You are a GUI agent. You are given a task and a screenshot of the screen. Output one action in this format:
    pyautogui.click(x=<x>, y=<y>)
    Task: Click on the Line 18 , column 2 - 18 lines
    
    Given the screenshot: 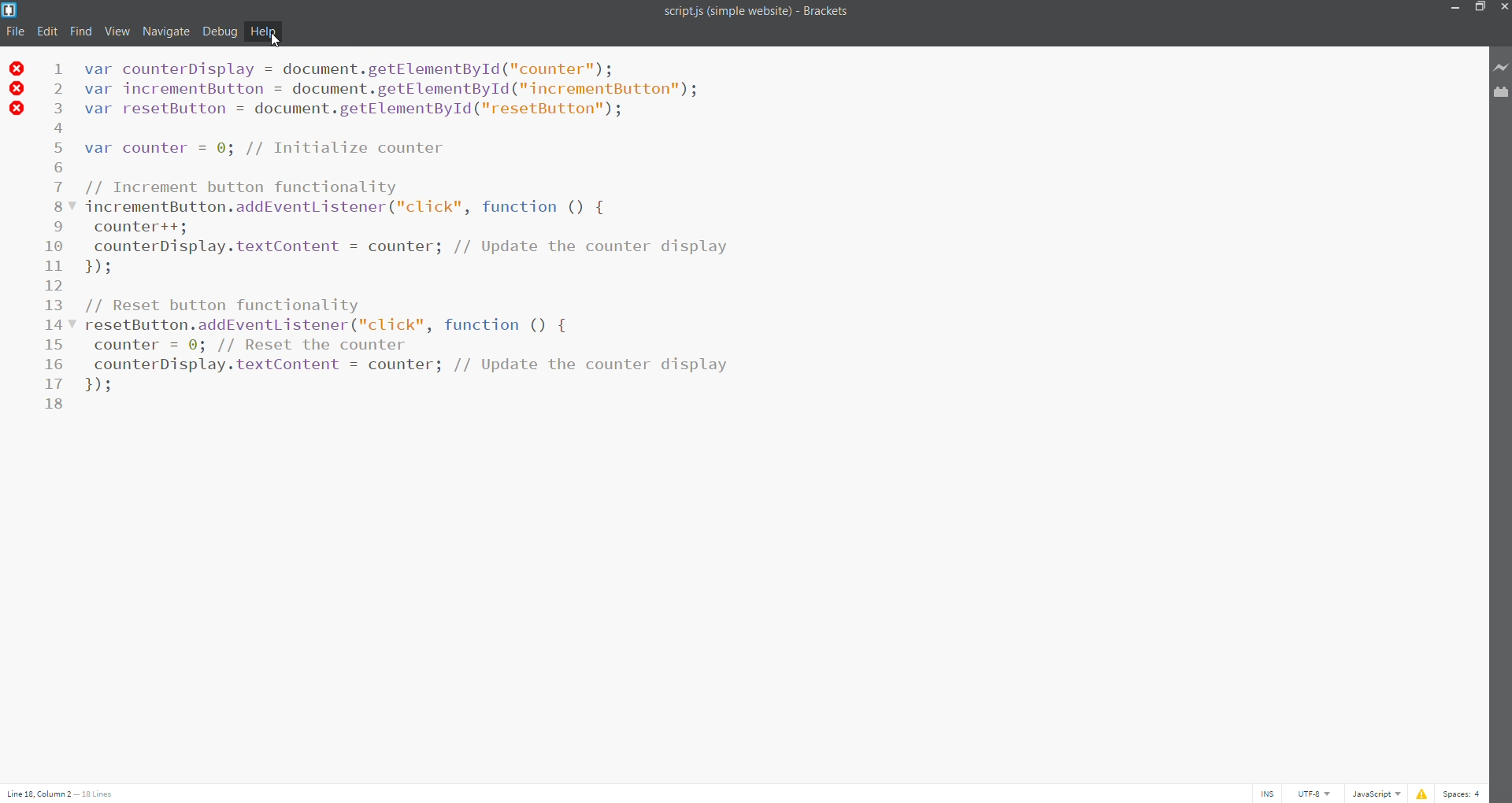 What is the action you would take?
    pyautogui.click(x=62, y=795)
    